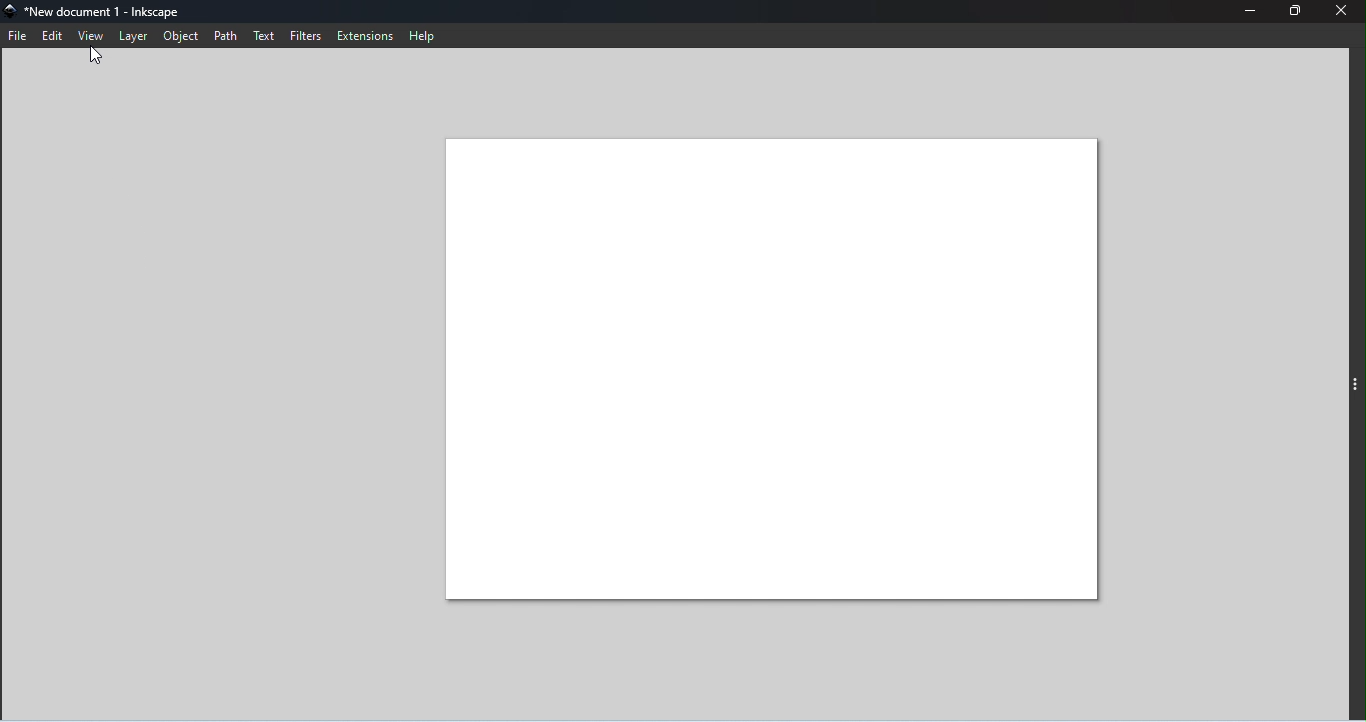 The width and height of the screenshot is (1366, 722). What do you see at coordinates (1292, 12) in the screenshot?
I see `Maximize` at bounding box center [1292, 12].